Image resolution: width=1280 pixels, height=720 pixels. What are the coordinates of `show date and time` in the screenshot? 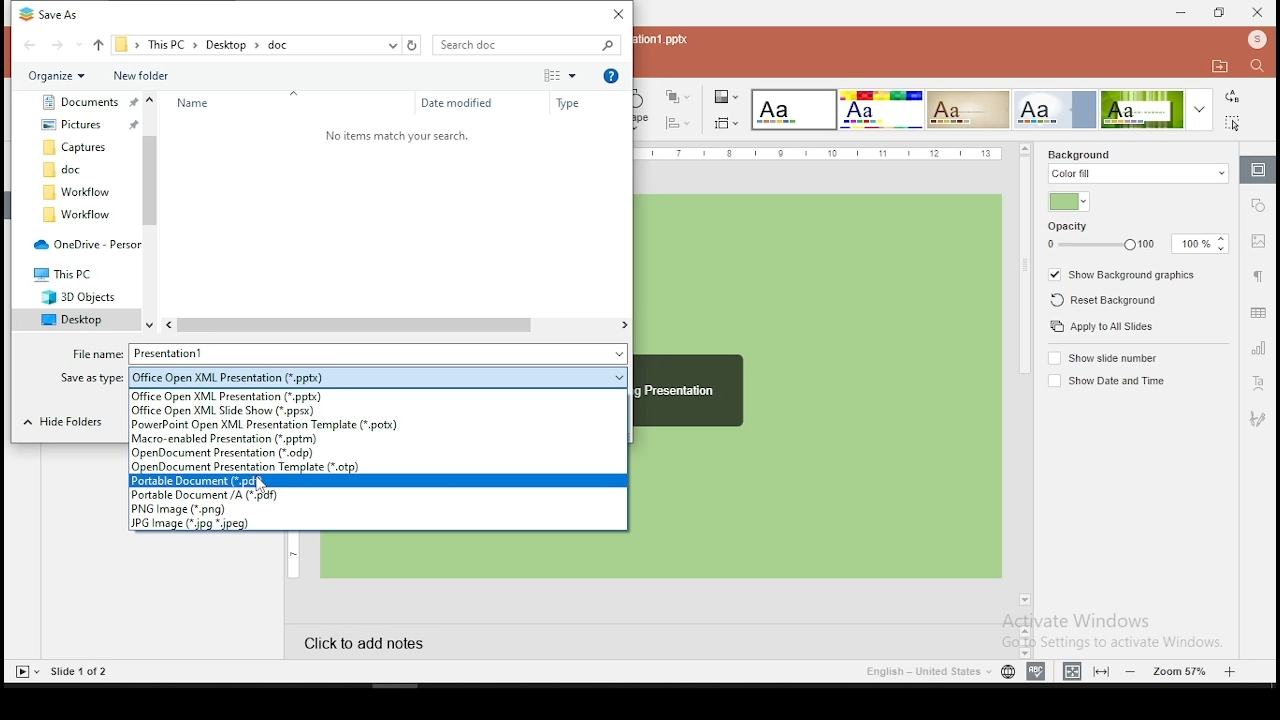 It's located at (1105, 380).